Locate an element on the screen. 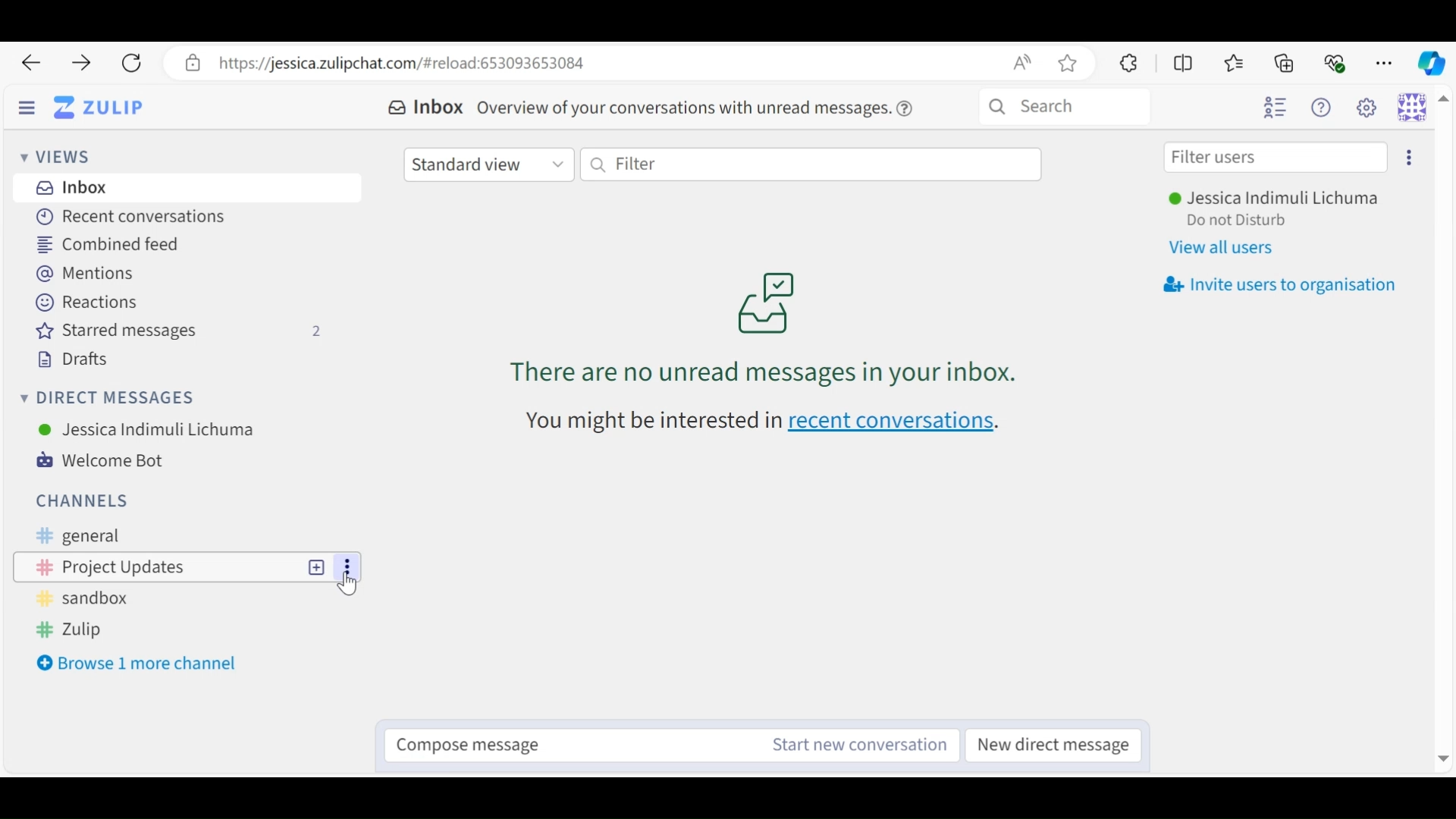 The image size is (1456, 819). Search is located at coordinates (1064, 107).